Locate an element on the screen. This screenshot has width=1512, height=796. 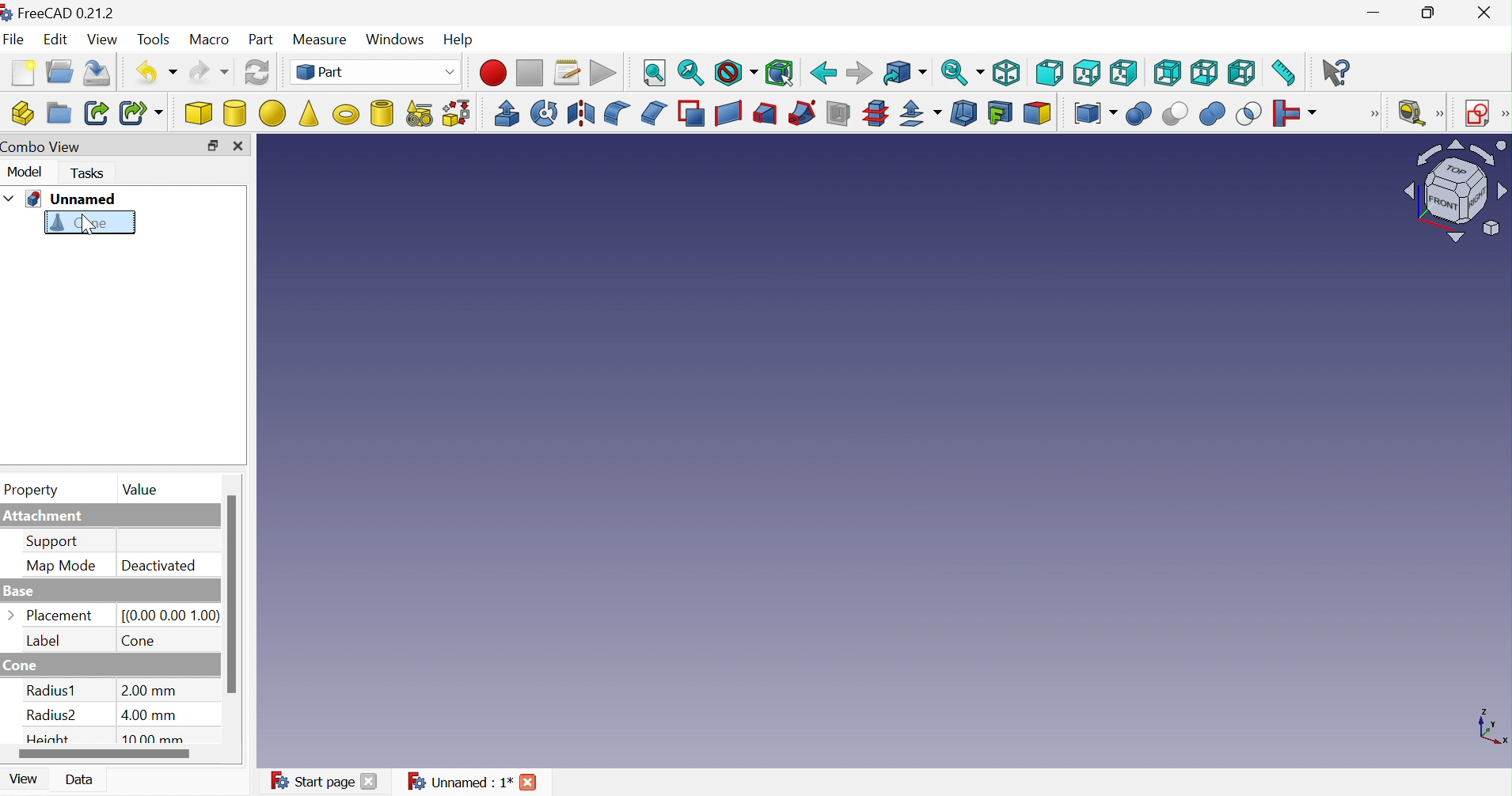
Mirroring is located at coordinates (583, 114).